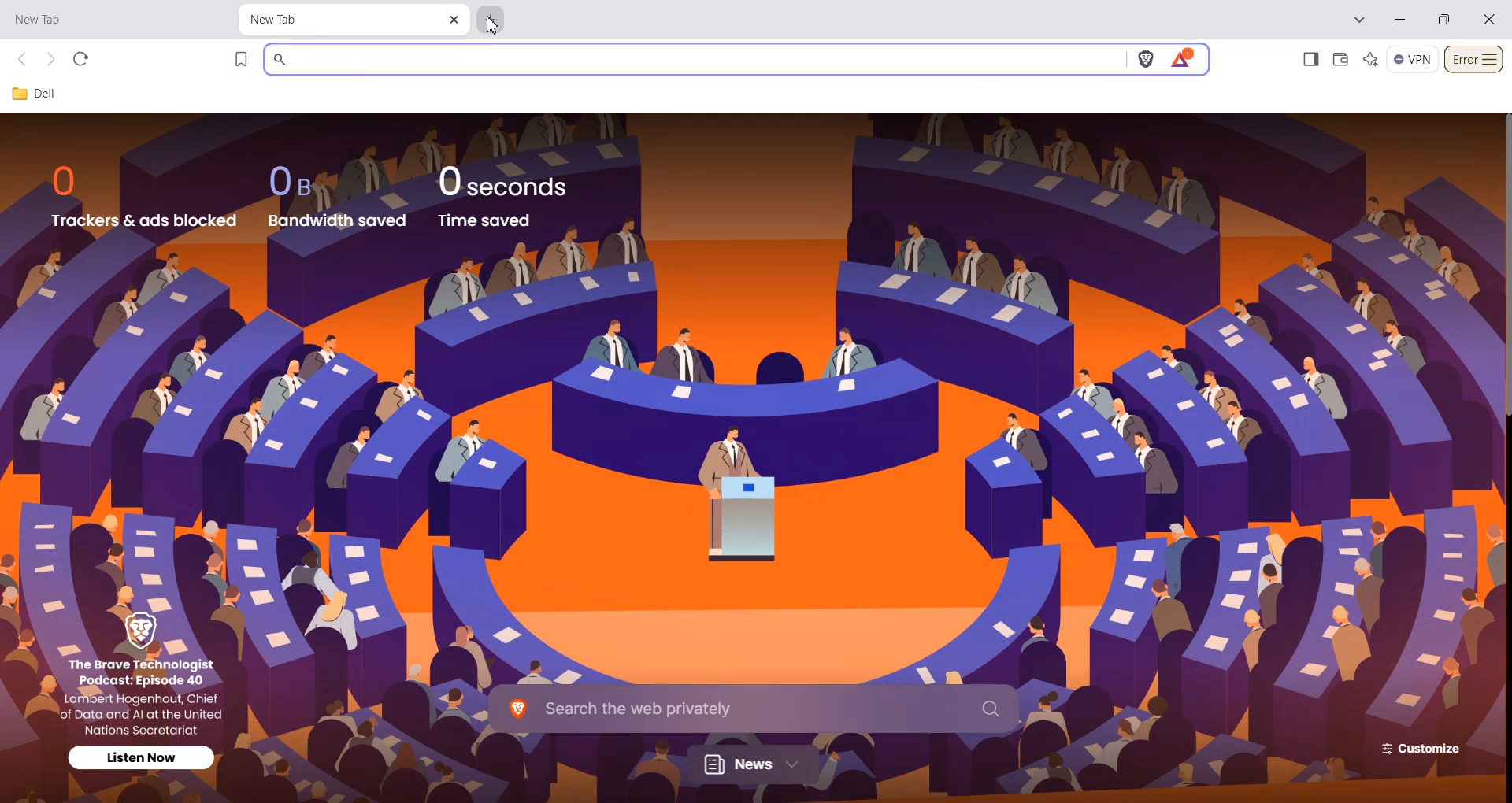  I want to click on New Tab, so click(338, 20).